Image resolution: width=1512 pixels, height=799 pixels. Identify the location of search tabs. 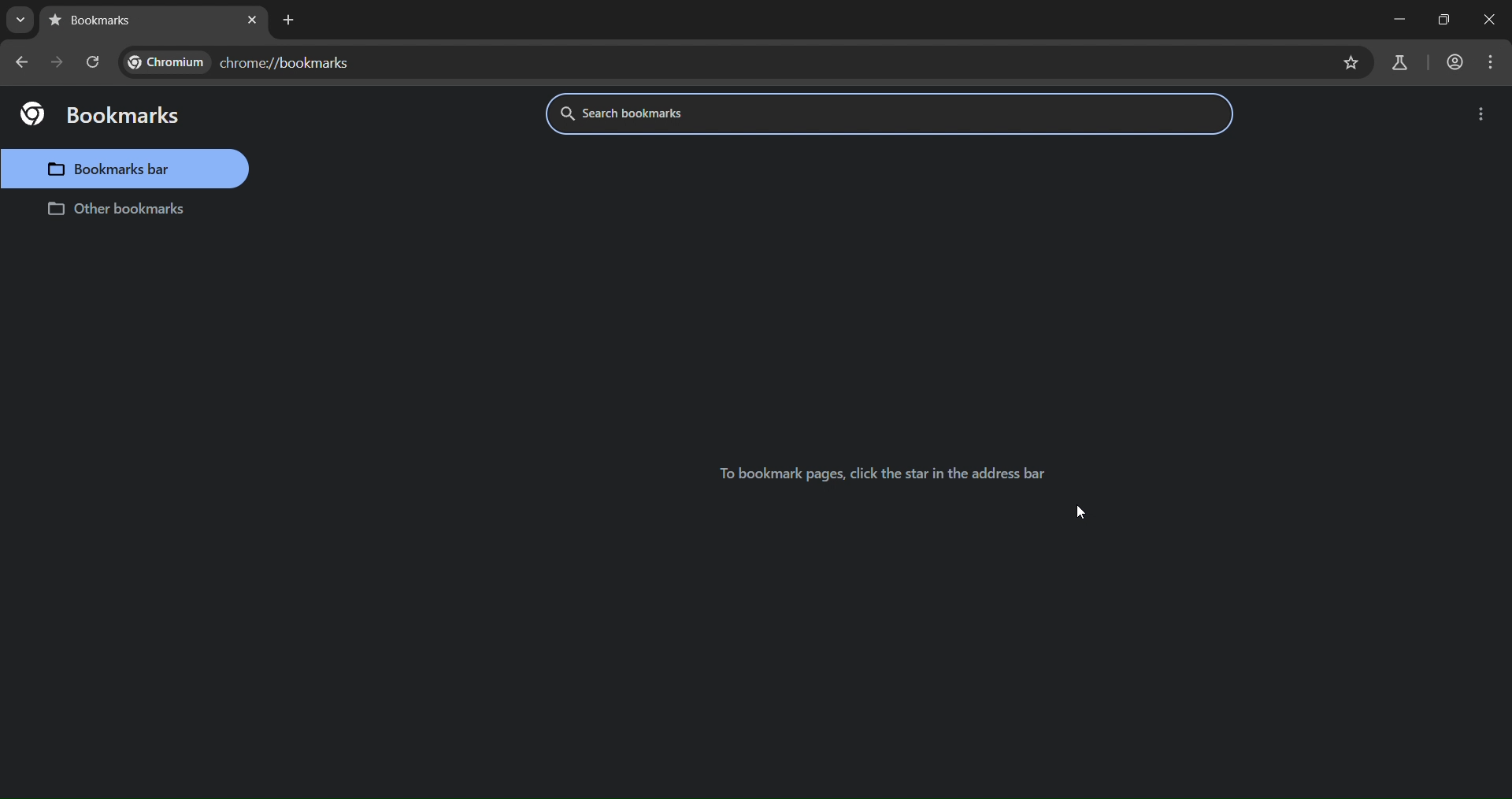
(20, 20).